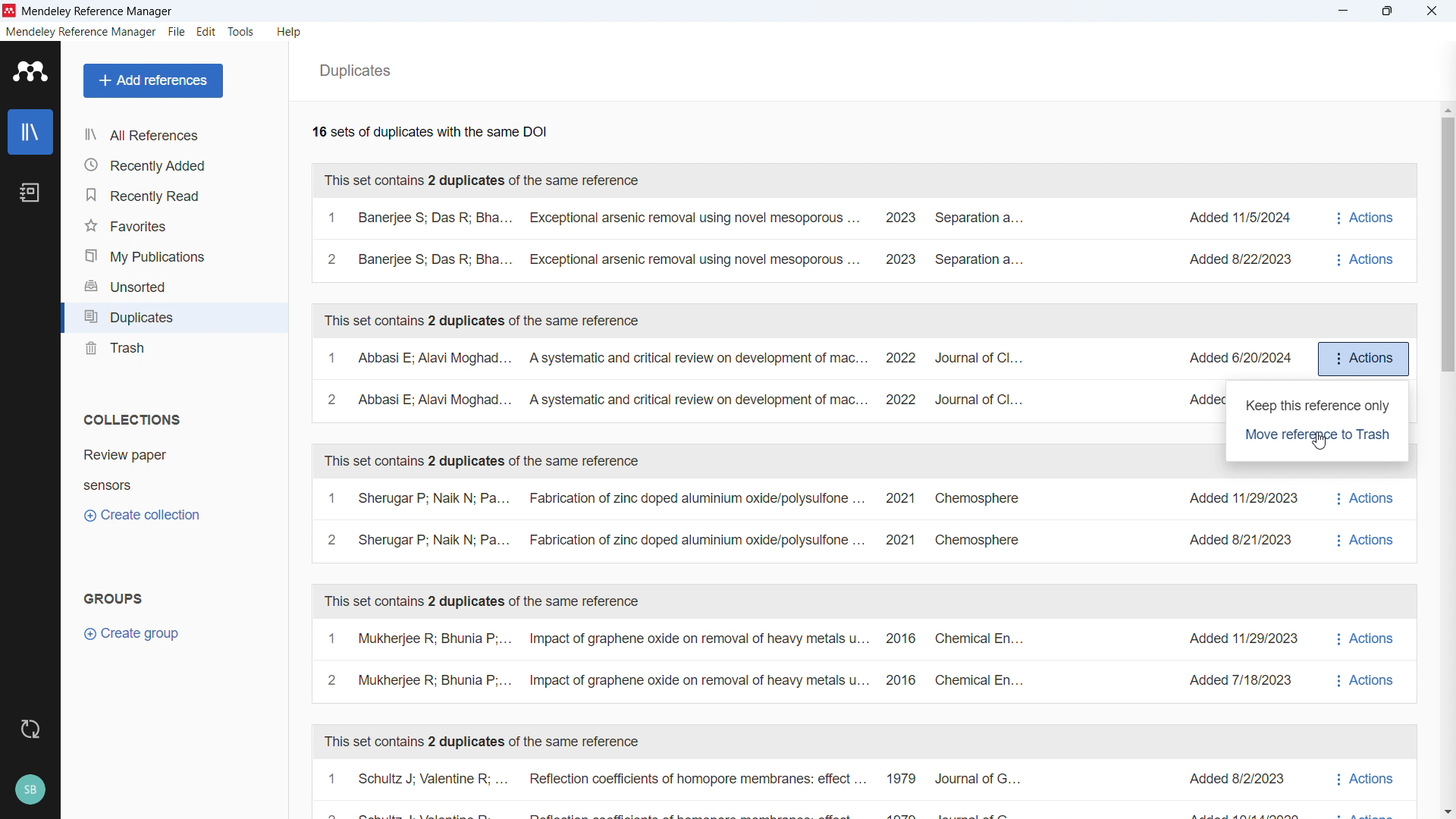  I want to click on A set of duplicates , so click(816, 789).